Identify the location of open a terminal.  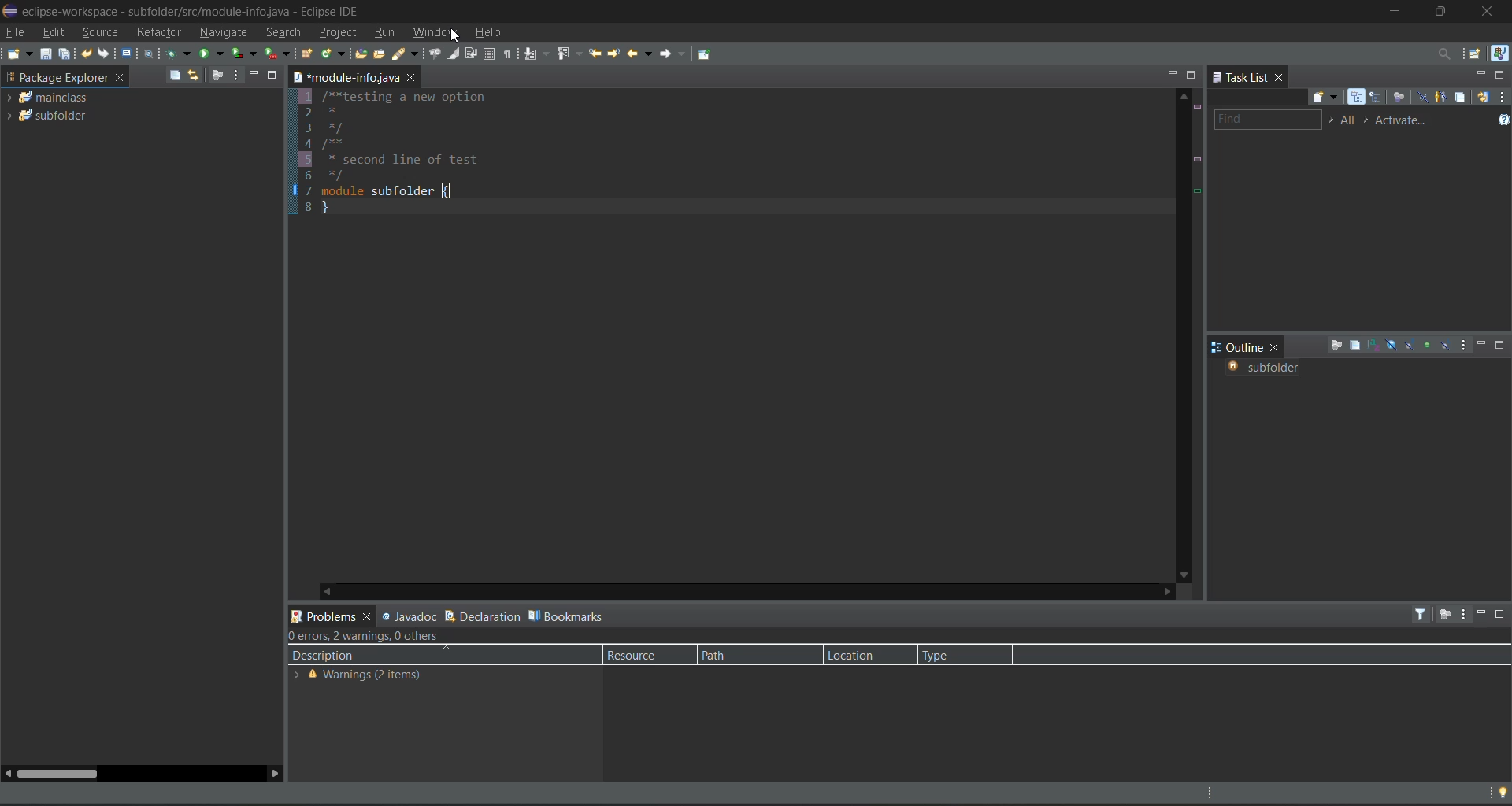
(127, 54).